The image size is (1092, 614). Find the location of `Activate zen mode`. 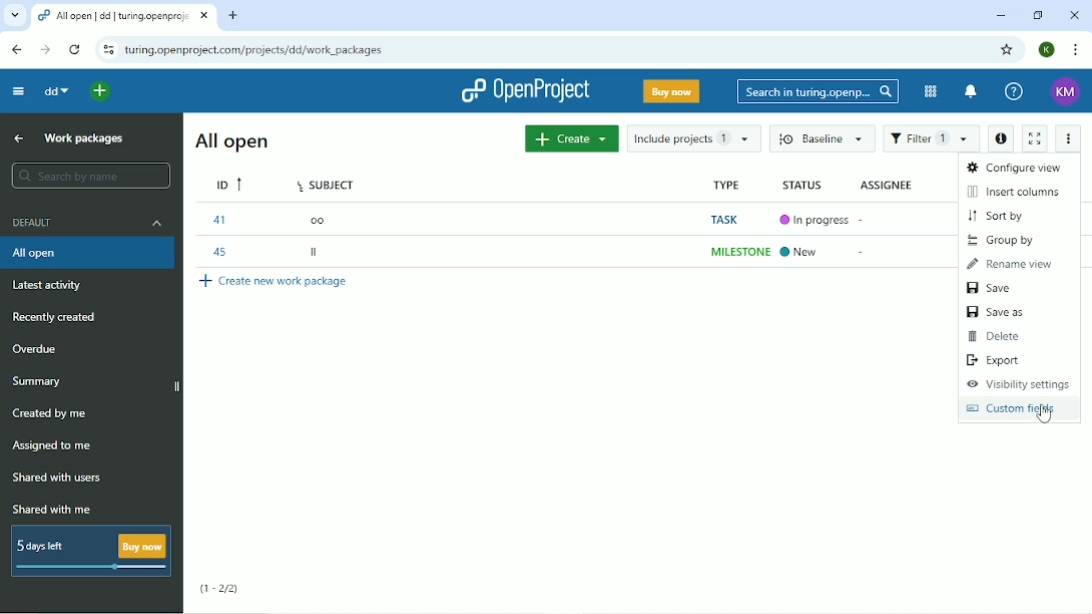

Activate zen mode is located at coordinates (1035, 138).